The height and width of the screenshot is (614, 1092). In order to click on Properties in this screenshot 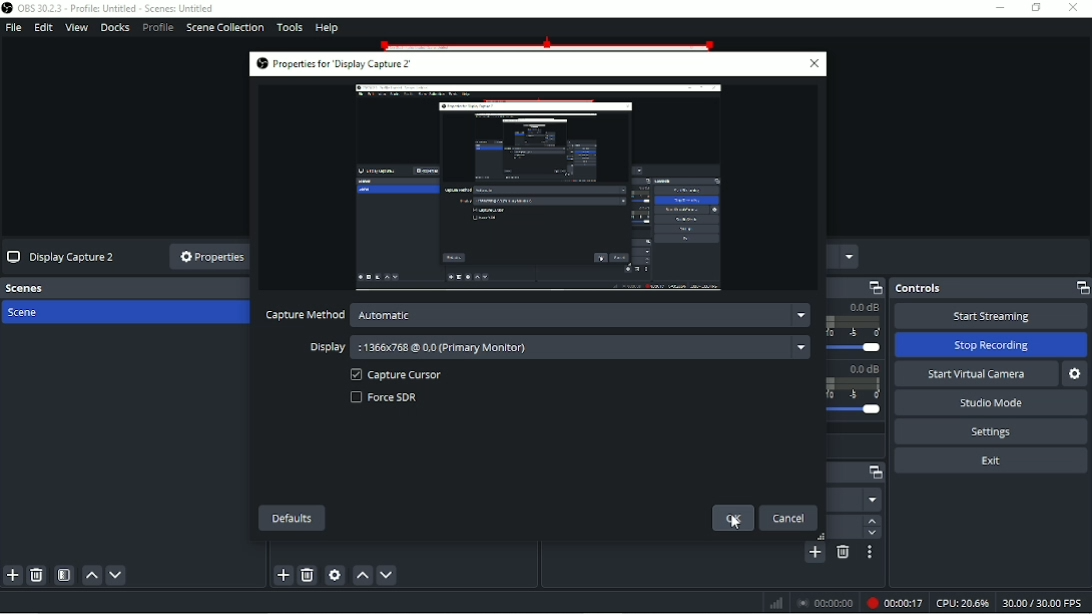, I will do `click(211, 258)`.